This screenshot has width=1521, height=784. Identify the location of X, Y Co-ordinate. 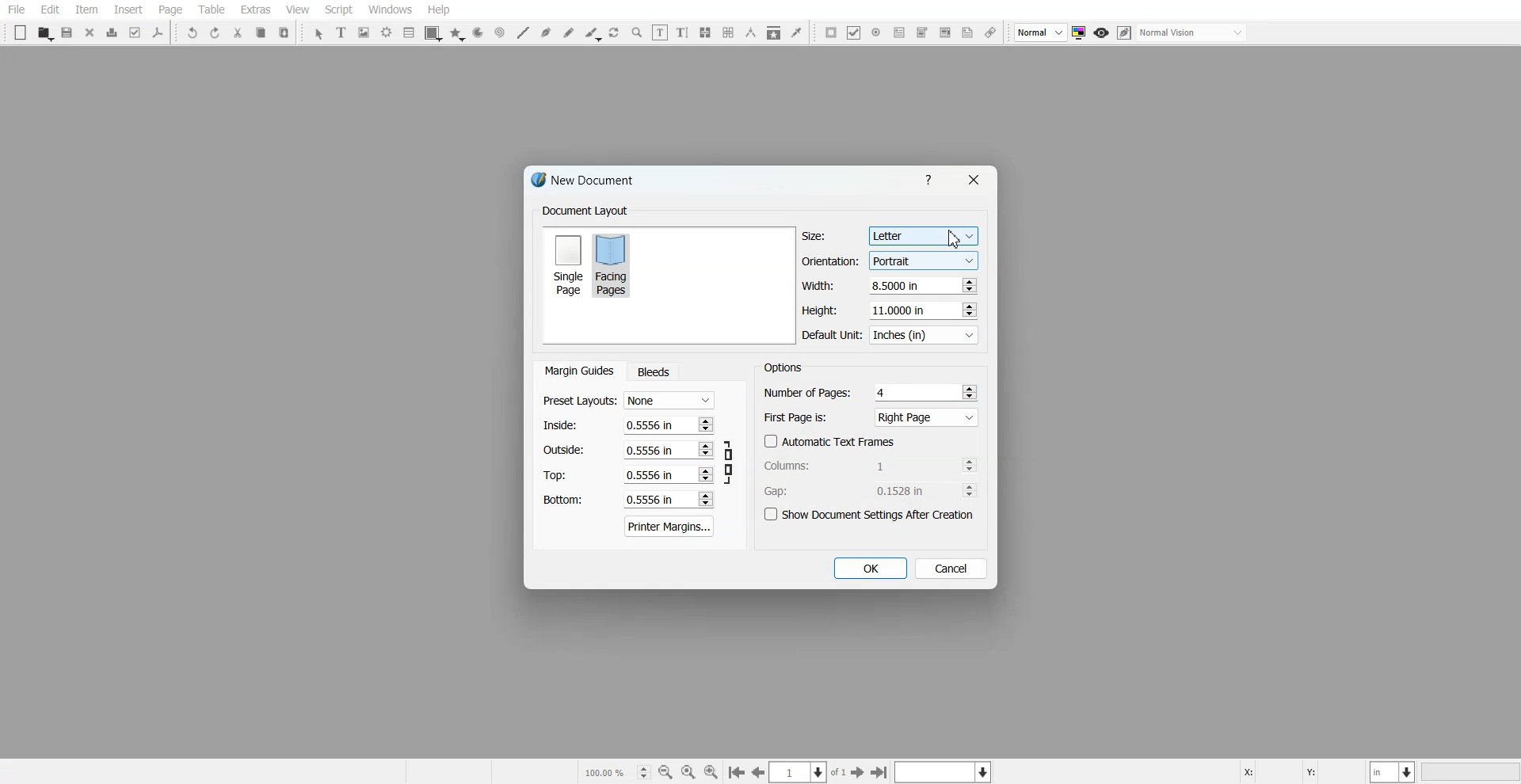
(1302, 771).